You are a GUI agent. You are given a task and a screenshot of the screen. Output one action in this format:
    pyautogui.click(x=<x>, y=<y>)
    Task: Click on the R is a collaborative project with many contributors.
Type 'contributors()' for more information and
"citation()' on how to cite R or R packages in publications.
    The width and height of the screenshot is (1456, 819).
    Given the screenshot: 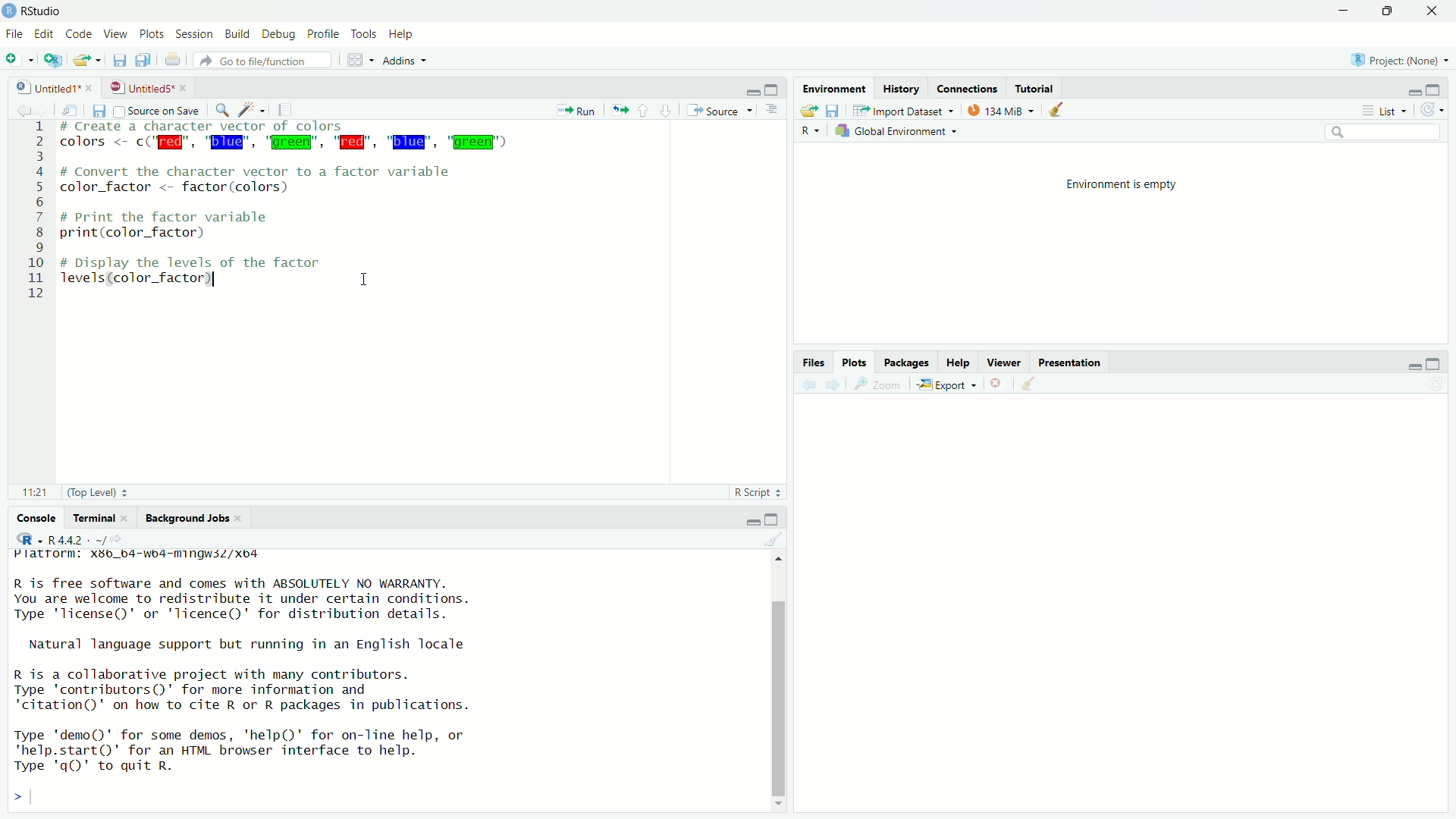 What is the action you would take?
    pyautogui.click(x=264, y=688)
    